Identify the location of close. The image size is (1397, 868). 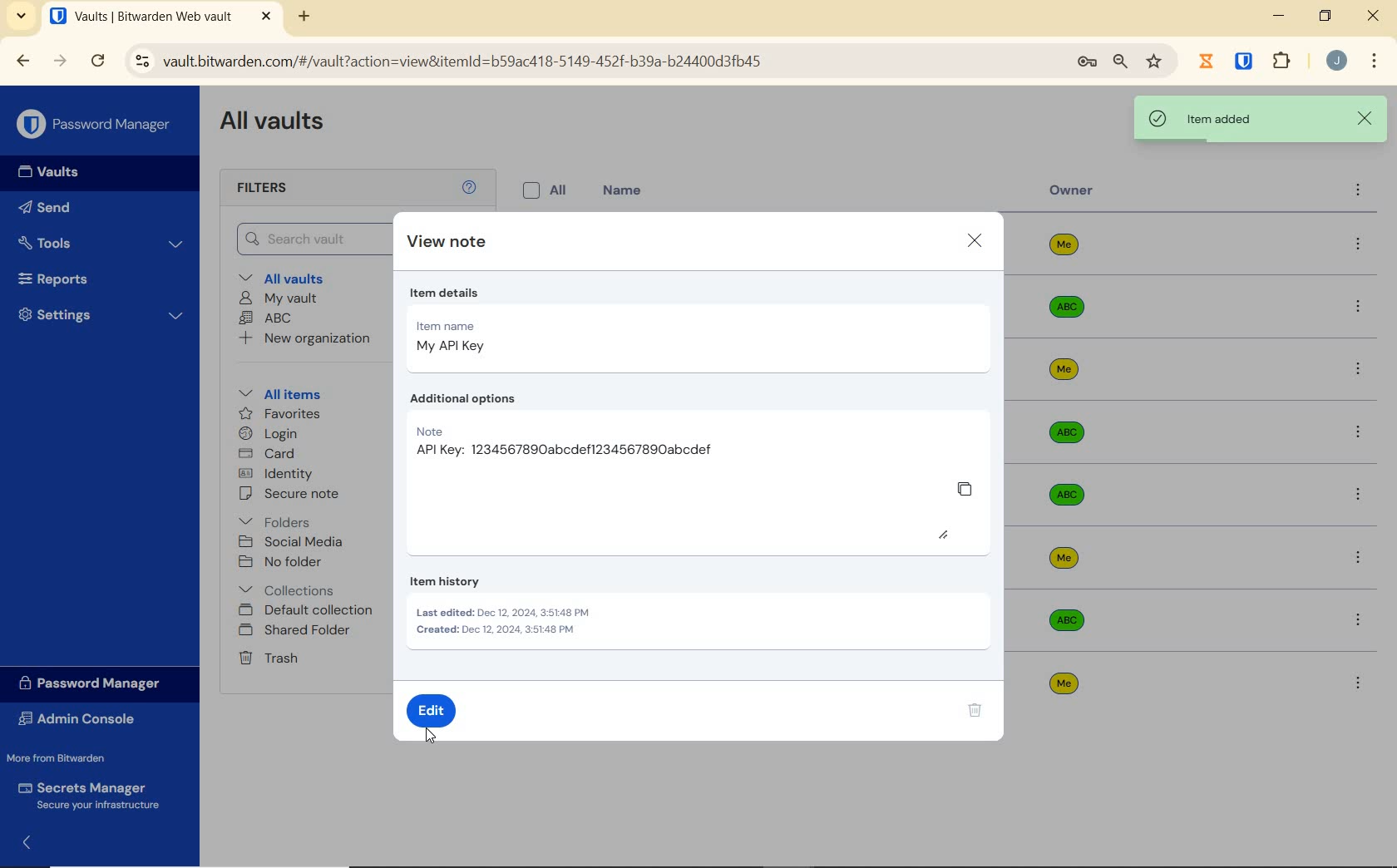
(1365, 117).